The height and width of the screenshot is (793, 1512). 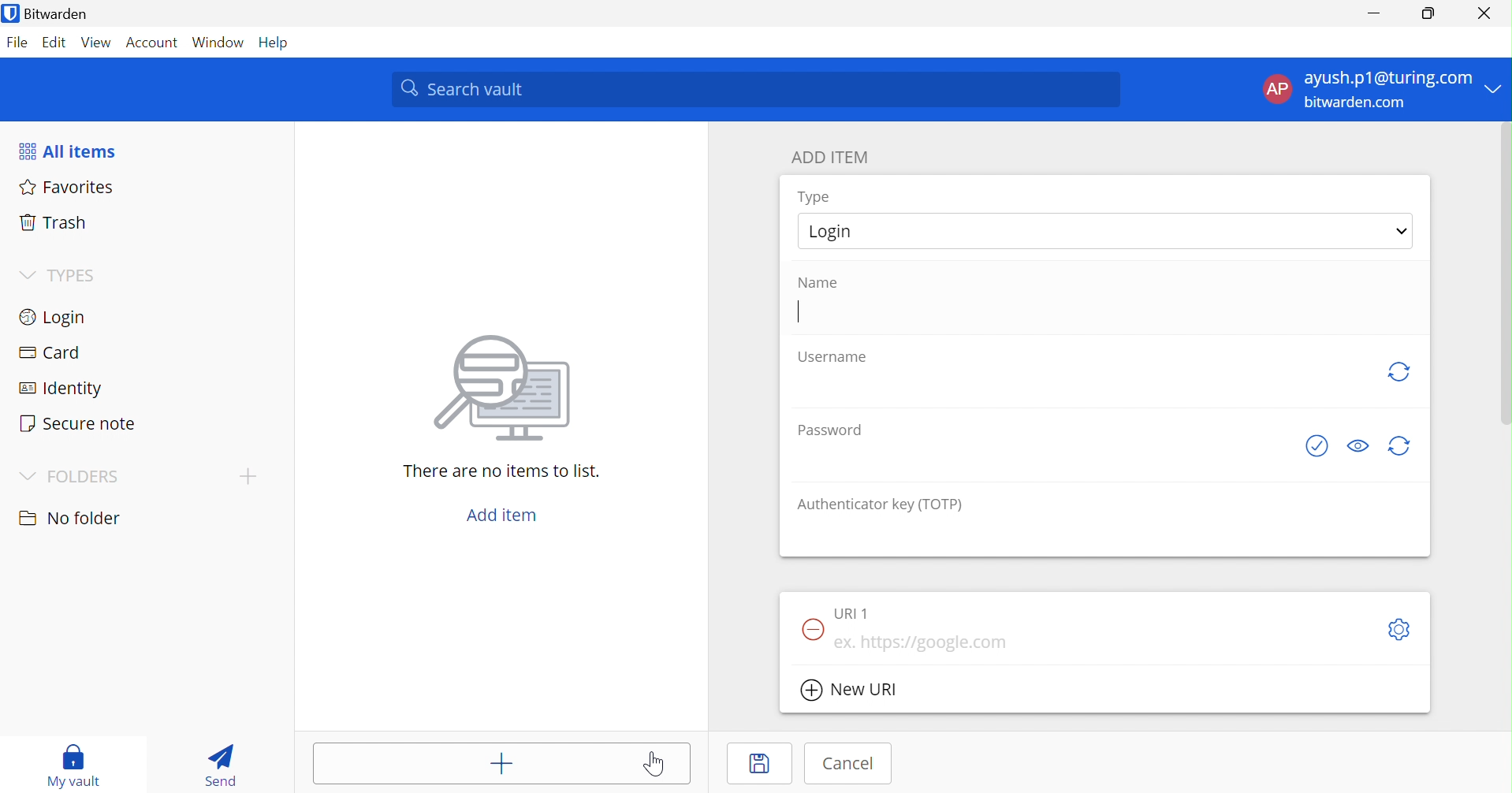 What do you see at coordinates (851, 613) in the screenshot?
I see `URl 1` at bounding box center [851, 613].